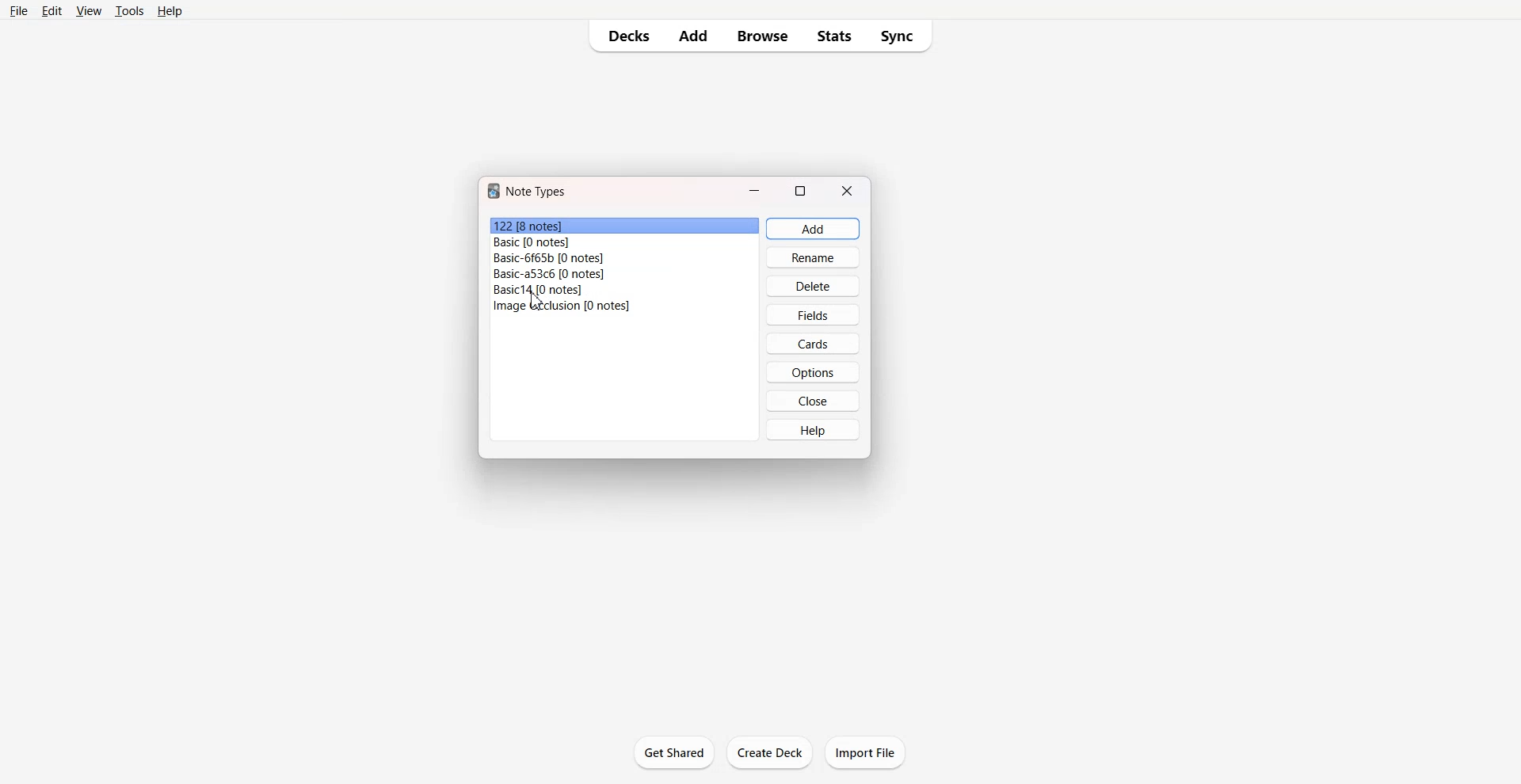 The width and height of the screenshot is (1521, 784). What do you see at coordinates (770, 752) in the screenshot?
I see `Create Deck` at bounding box center [770, 752].